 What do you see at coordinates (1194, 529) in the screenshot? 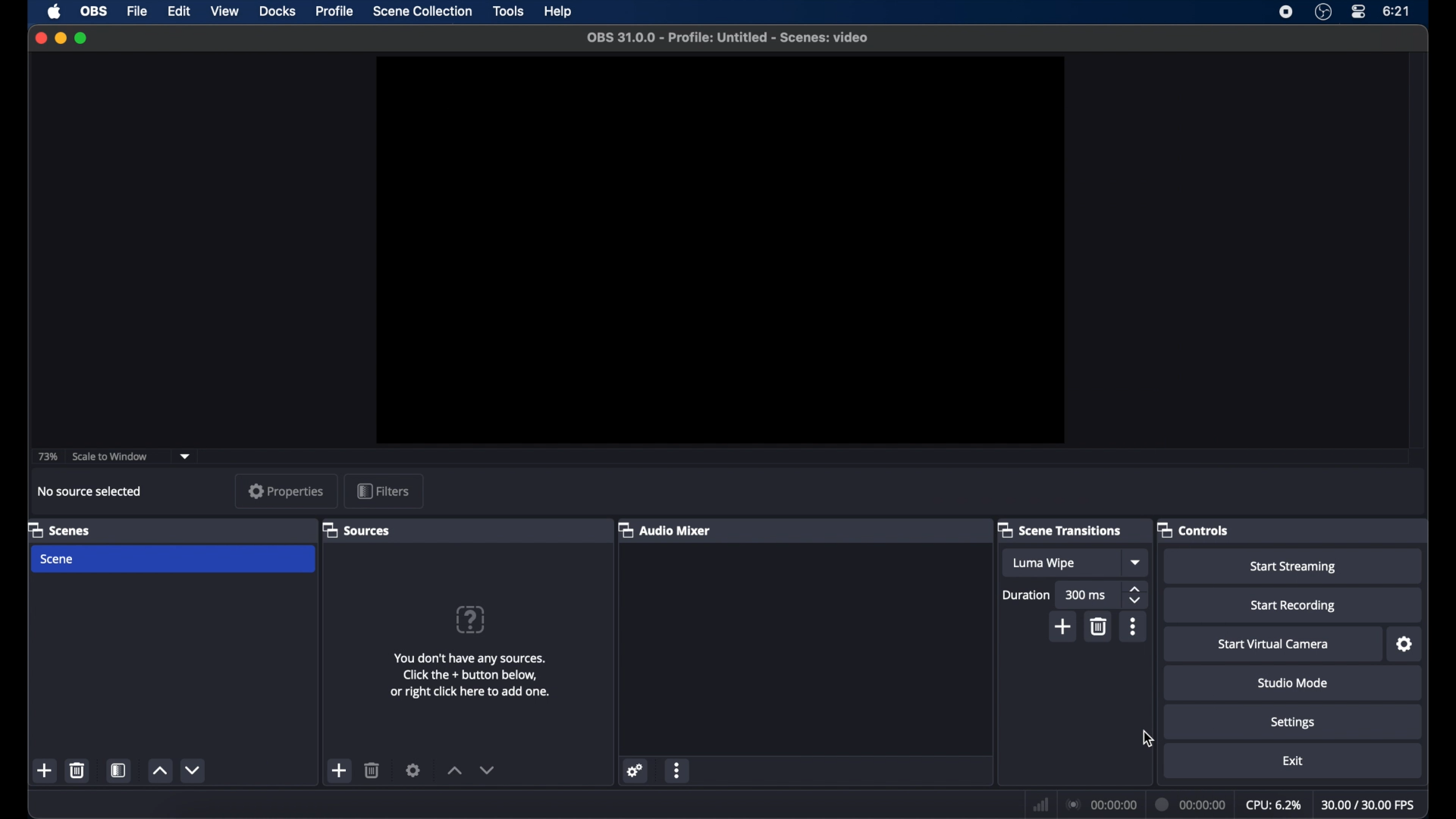
I see `controls` at bounding box center [1194, 529].